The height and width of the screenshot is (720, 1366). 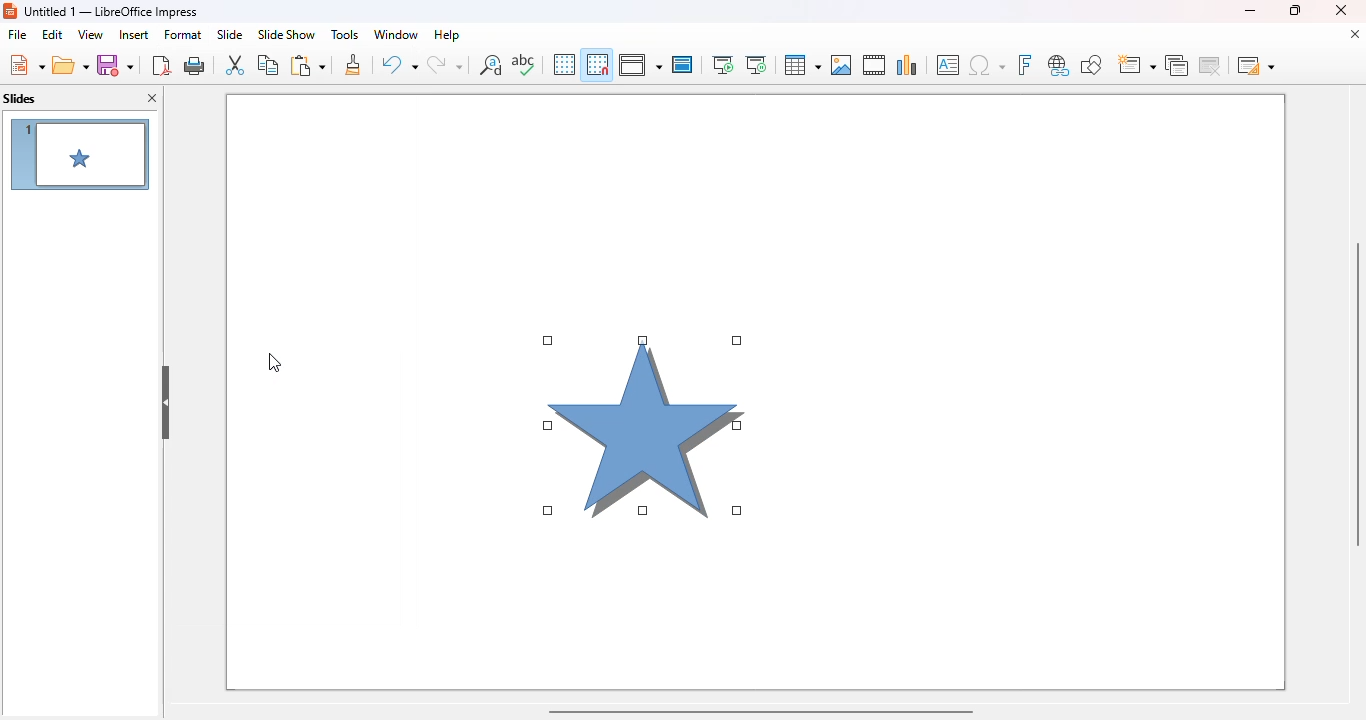 I want to click on logo, so click(x=10, y=11).